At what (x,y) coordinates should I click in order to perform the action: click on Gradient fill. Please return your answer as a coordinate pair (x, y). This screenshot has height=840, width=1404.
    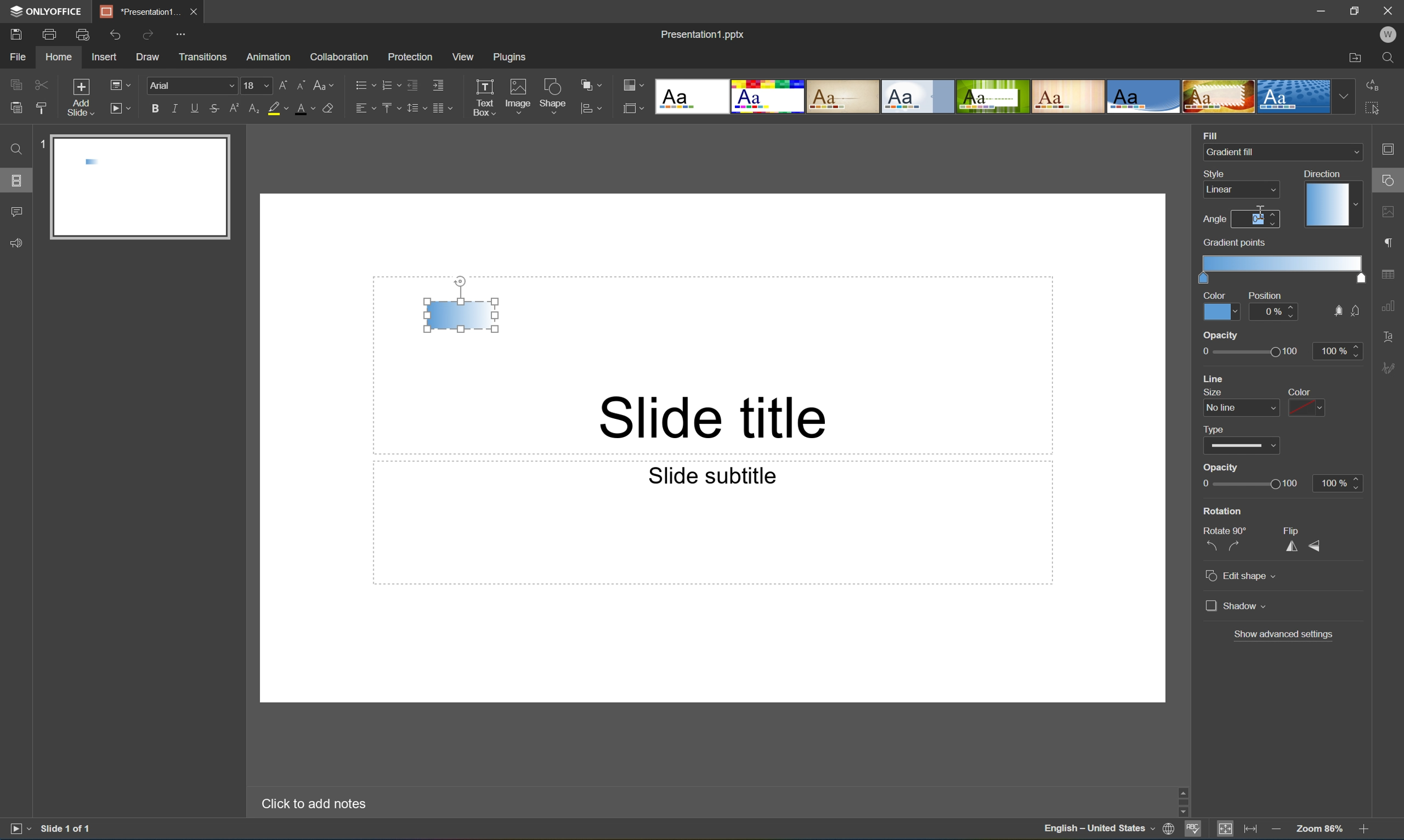
    Looking at the image, I should click on (462, 315).